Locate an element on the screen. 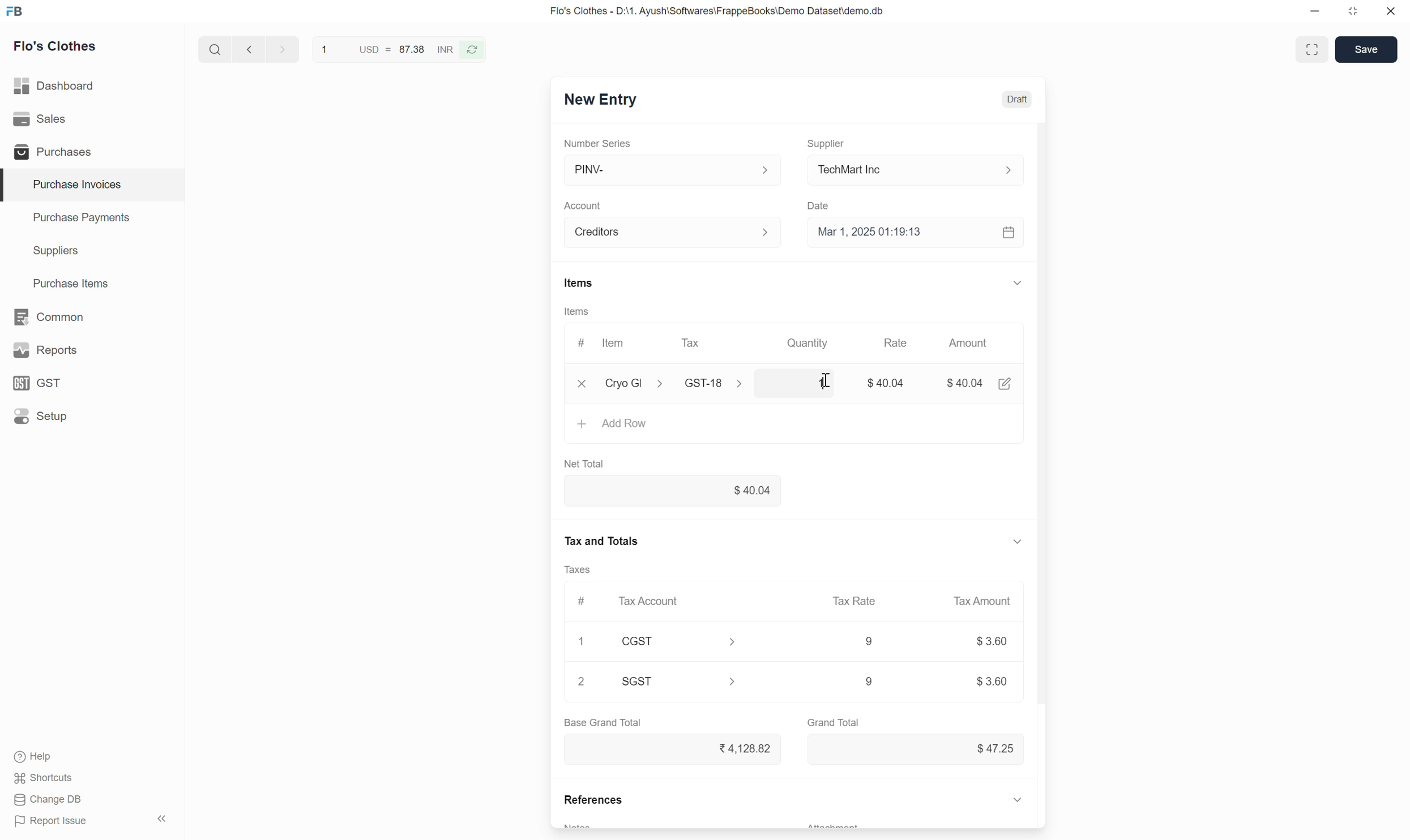 This screenshot has height=840, width=1410. 1 USD = 87.38 INR is located at coordinates (385, 48).